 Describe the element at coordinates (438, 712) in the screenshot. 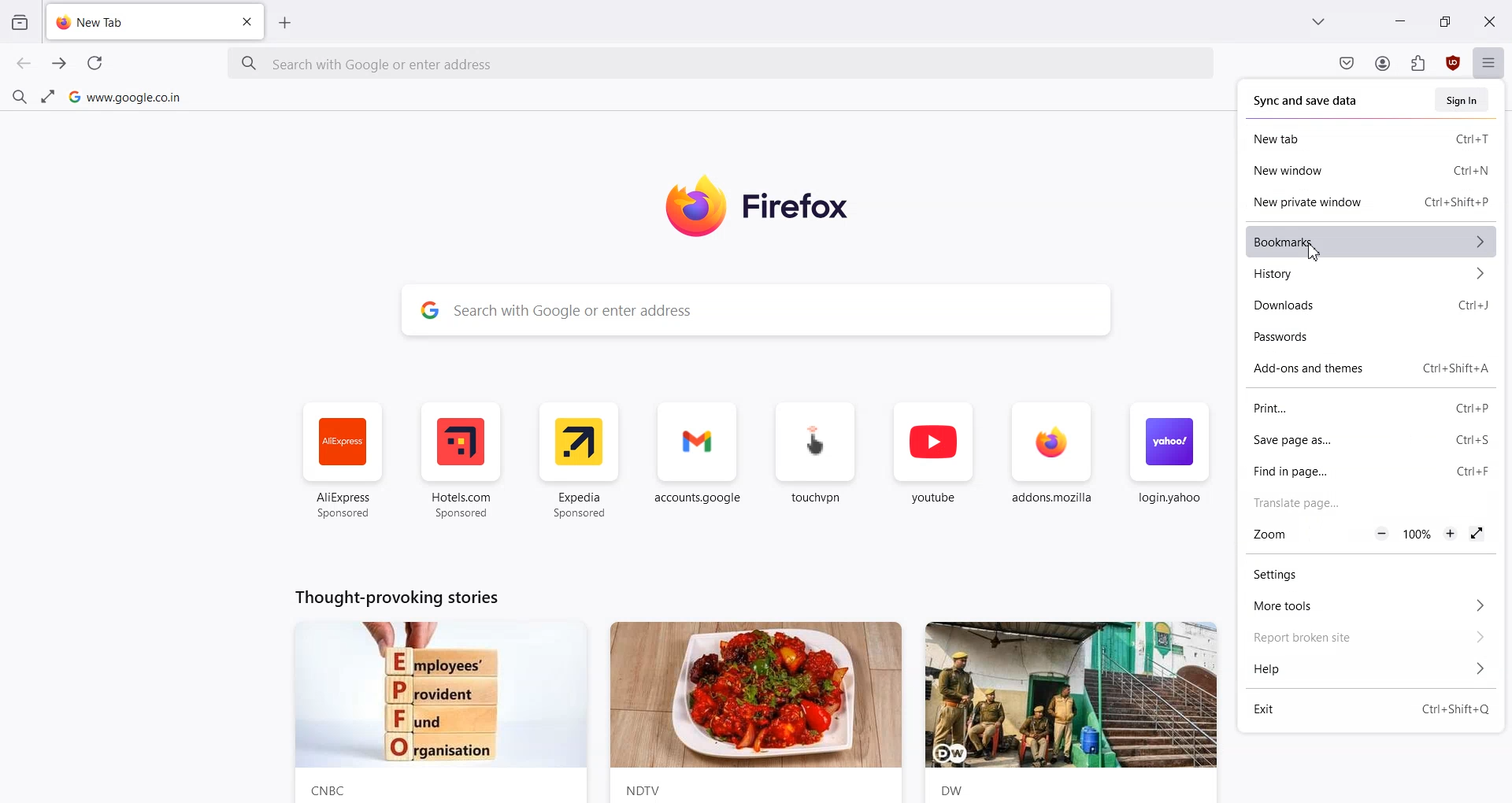

I see `News` at that location.